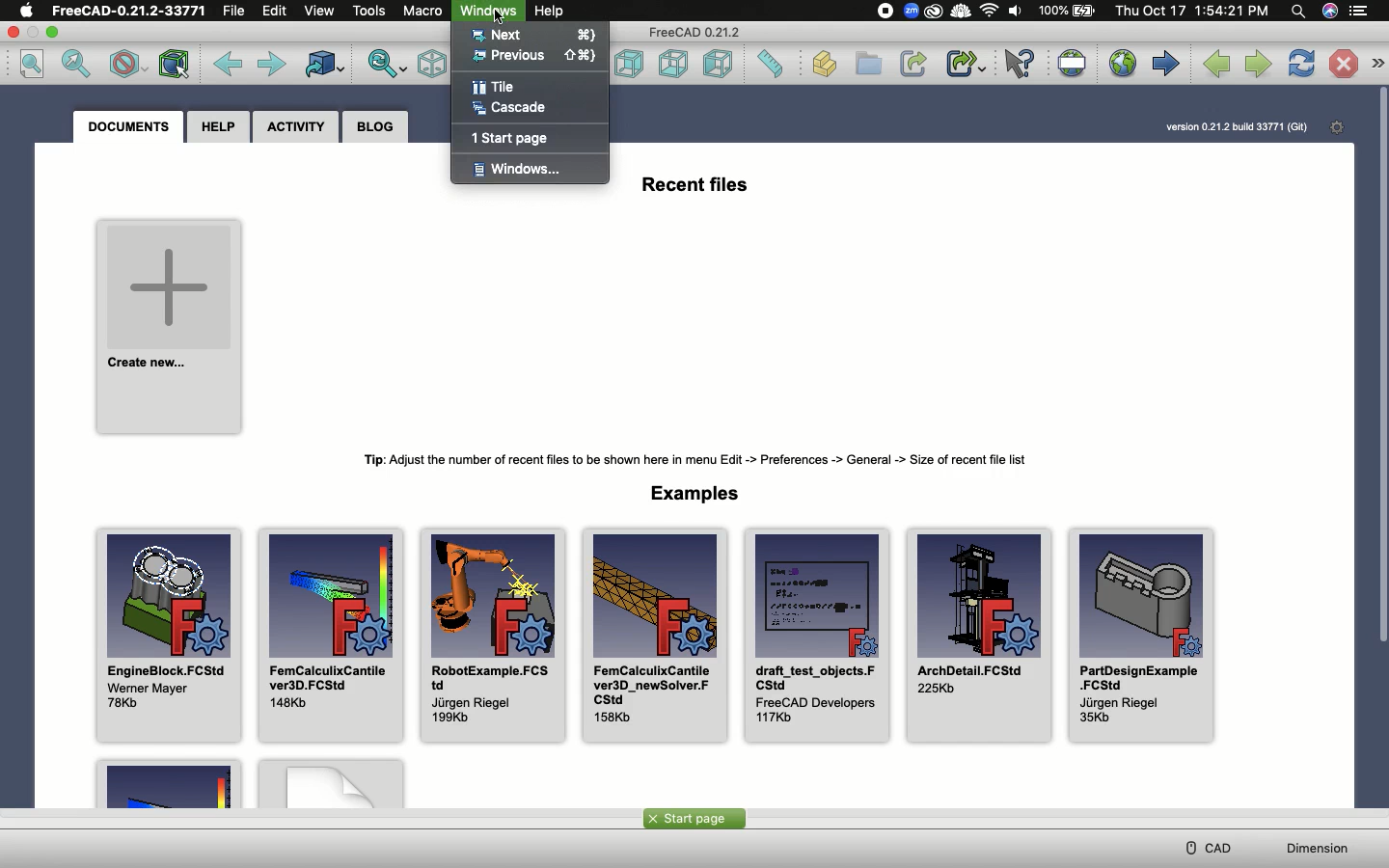 This screenshot has height=868, width=1389. What do you see at coordinates (1297, 12) in the screenshot?
I see `Search` at bounding box center [1297, 12].